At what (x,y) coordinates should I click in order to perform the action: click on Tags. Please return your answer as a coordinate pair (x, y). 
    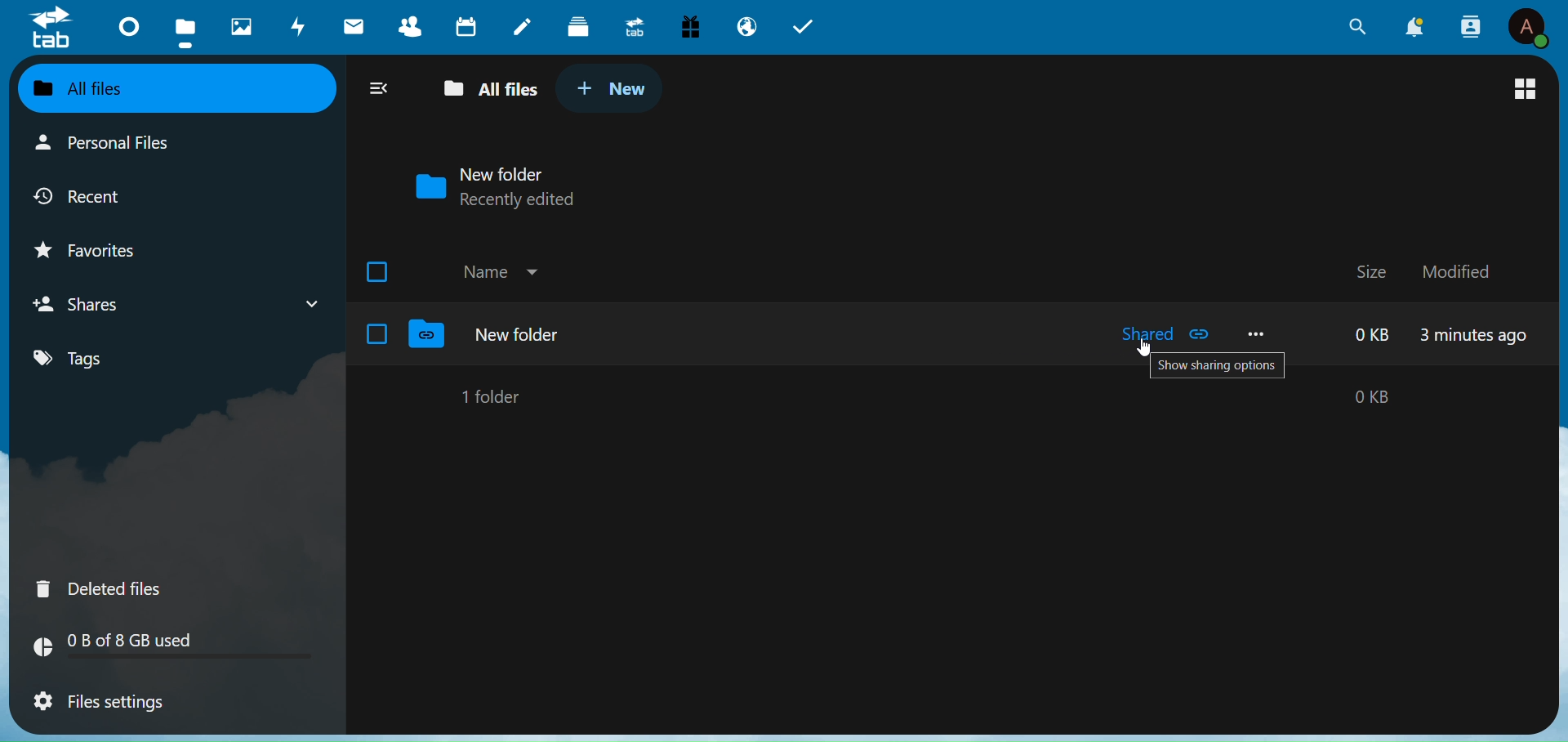
    Looking at the image, I should click on (100, 360).